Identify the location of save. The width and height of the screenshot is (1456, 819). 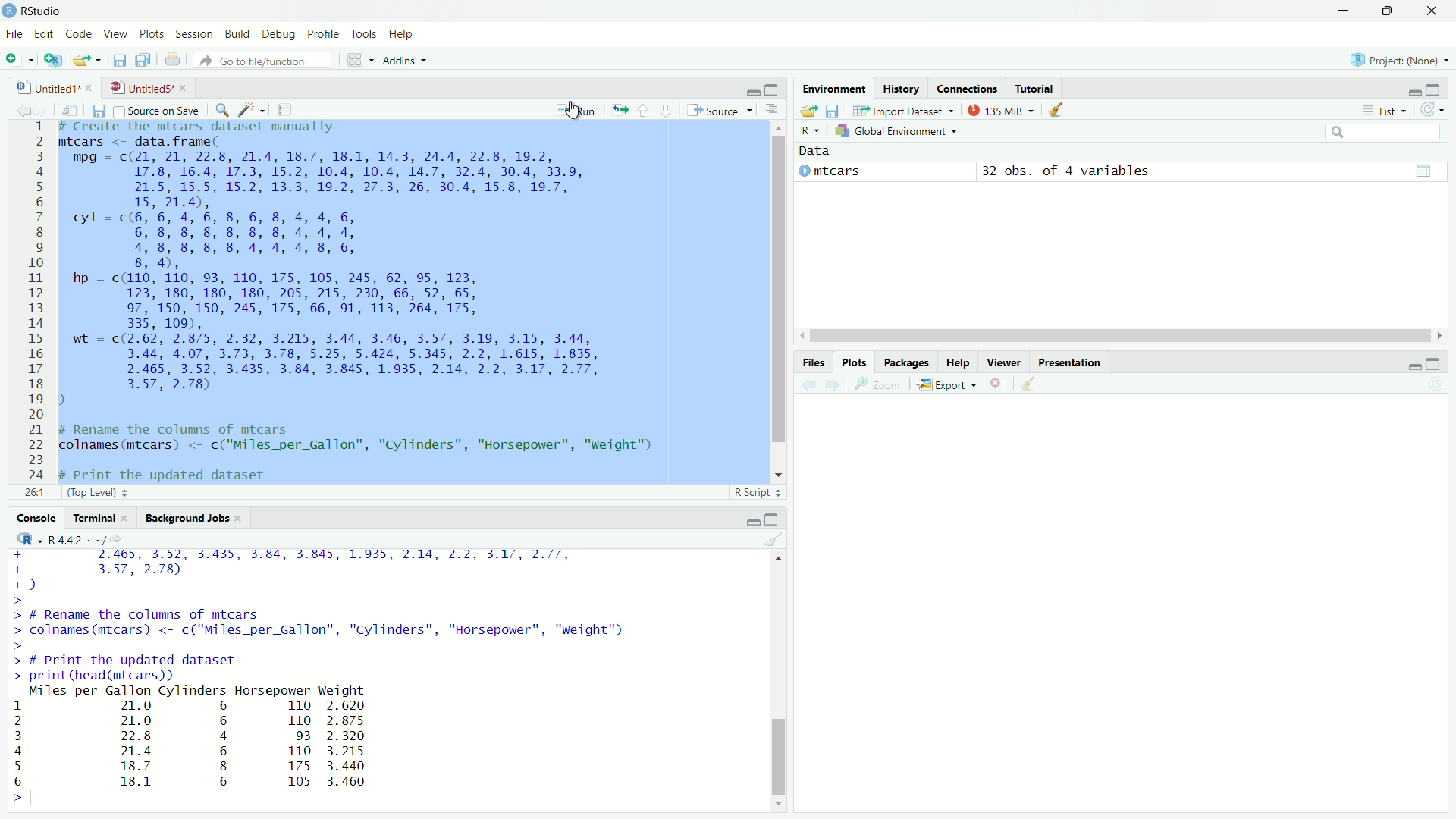
(118, 60).